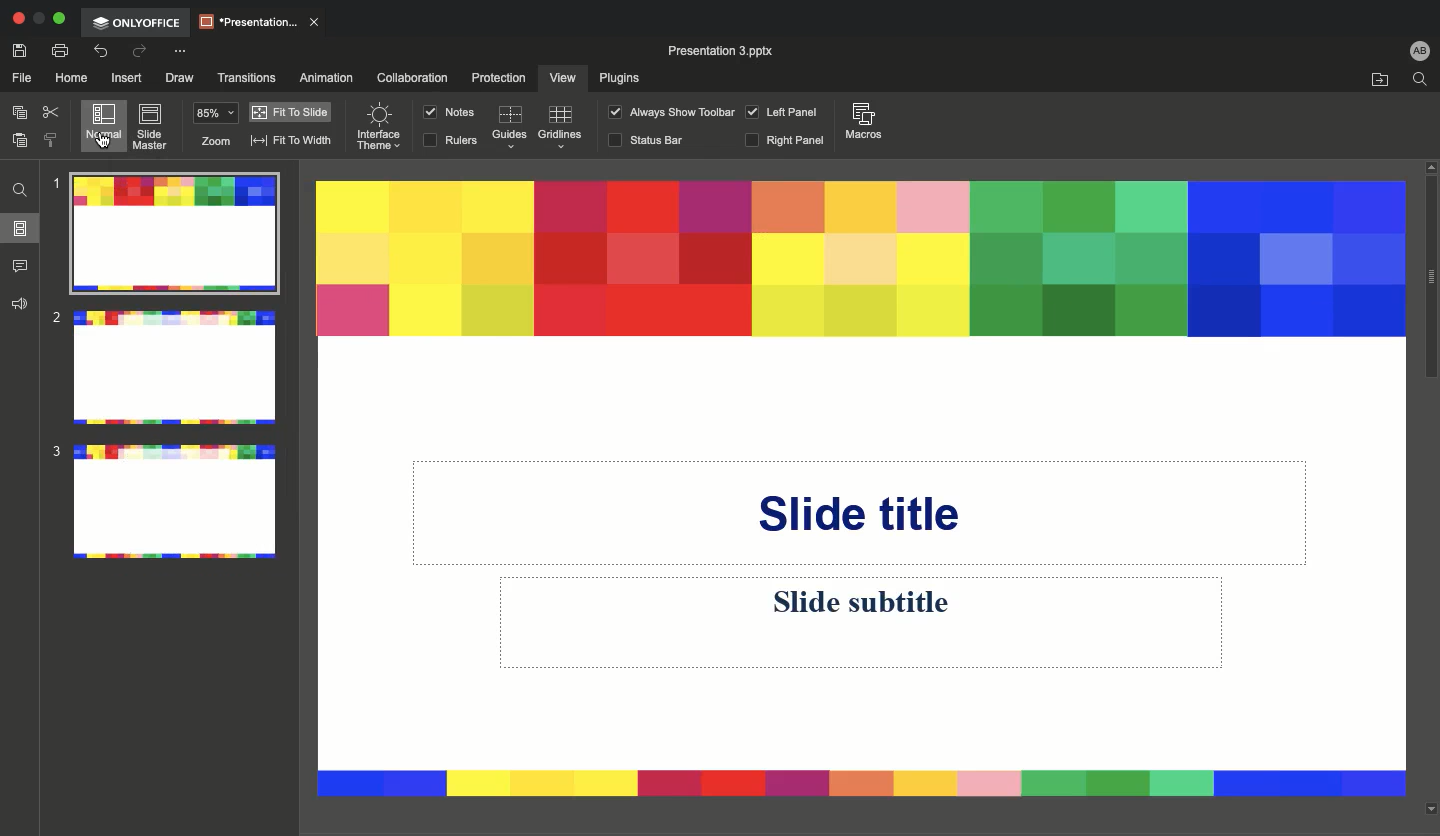  What do you see at coordinates (778, 112) in the screenshot?
I see `Left panel` at bounding box center [778, 112].